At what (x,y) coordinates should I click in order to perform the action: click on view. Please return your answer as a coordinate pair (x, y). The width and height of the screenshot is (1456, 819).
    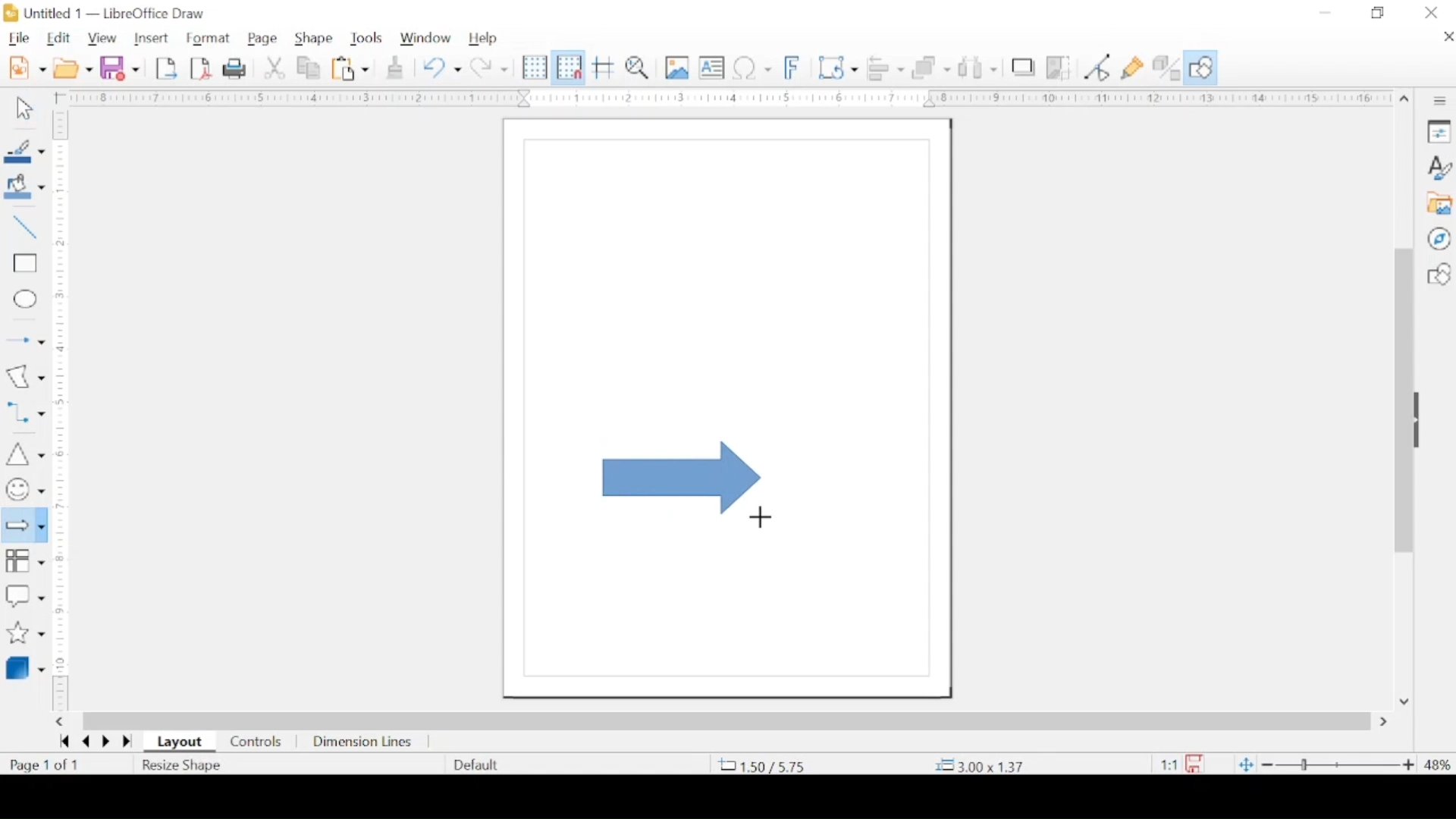
    Looking at the image, I should click on (101, 39).